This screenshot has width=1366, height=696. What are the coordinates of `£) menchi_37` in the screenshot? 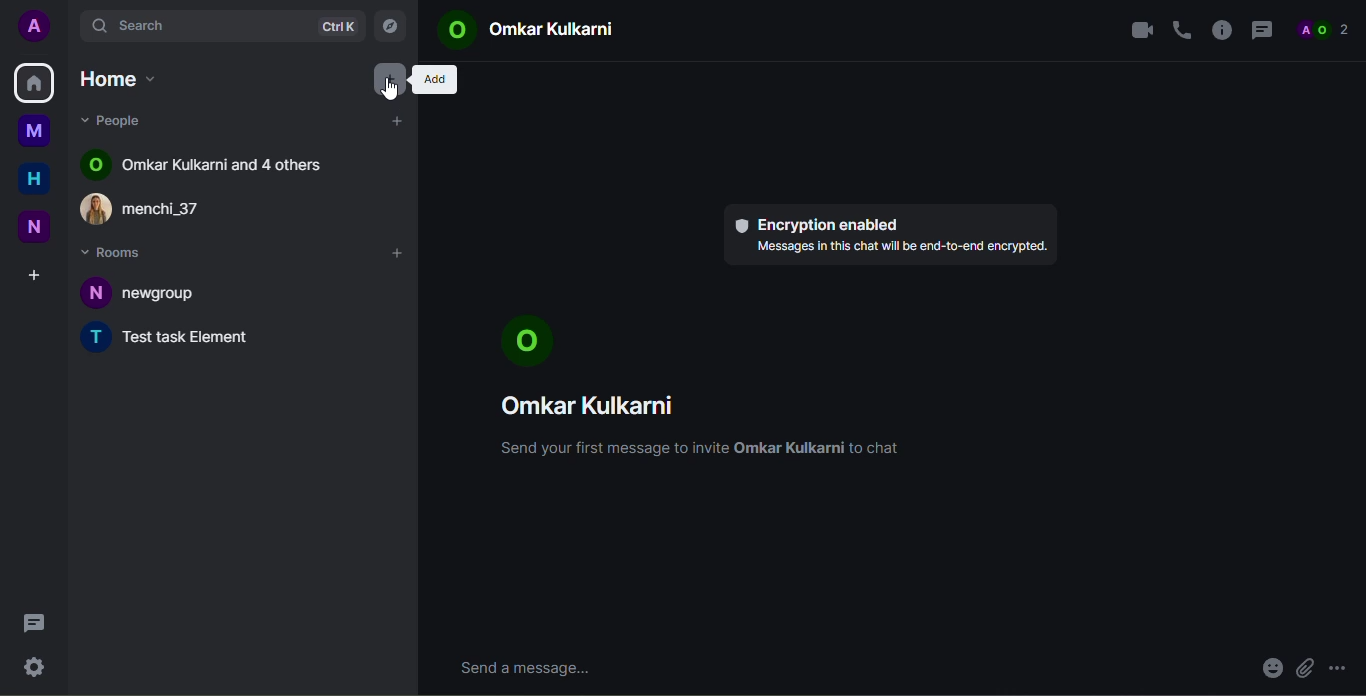 It's located at (161, 208).